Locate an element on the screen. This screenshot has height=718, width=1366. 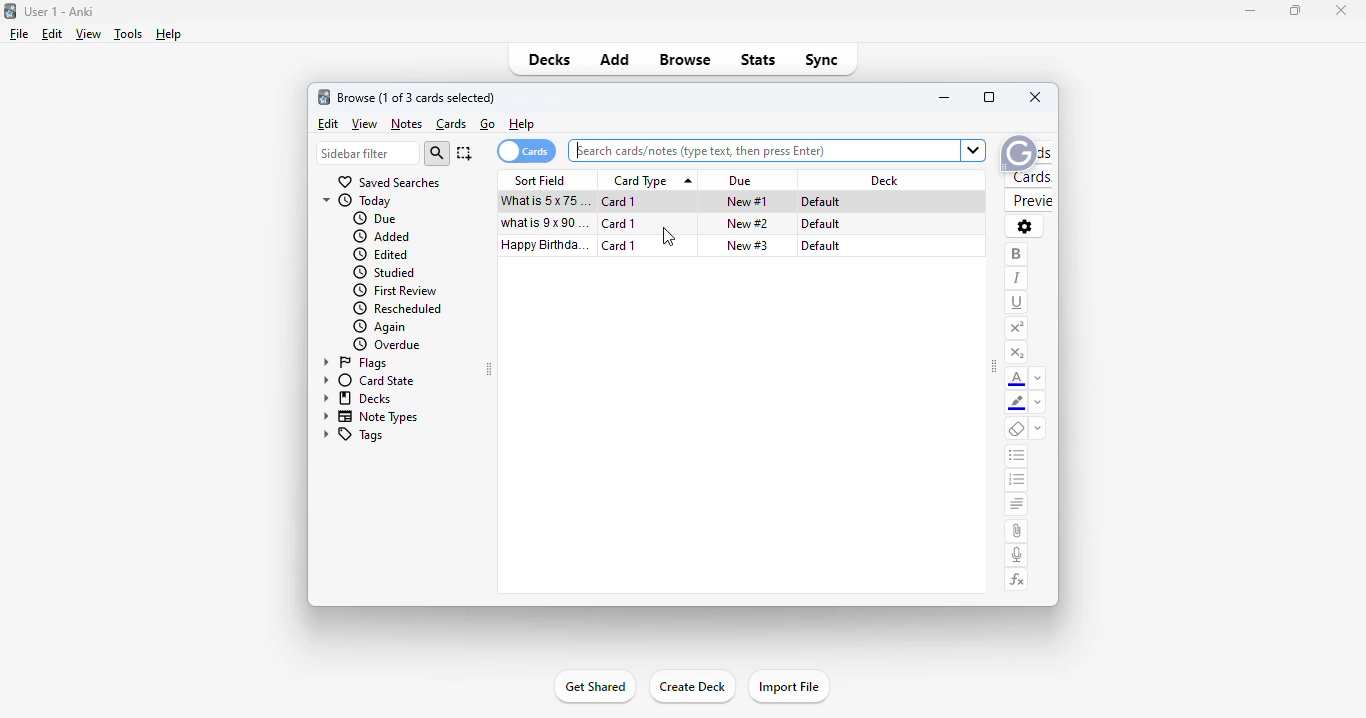
search bar is located at coordinates (758, 150).